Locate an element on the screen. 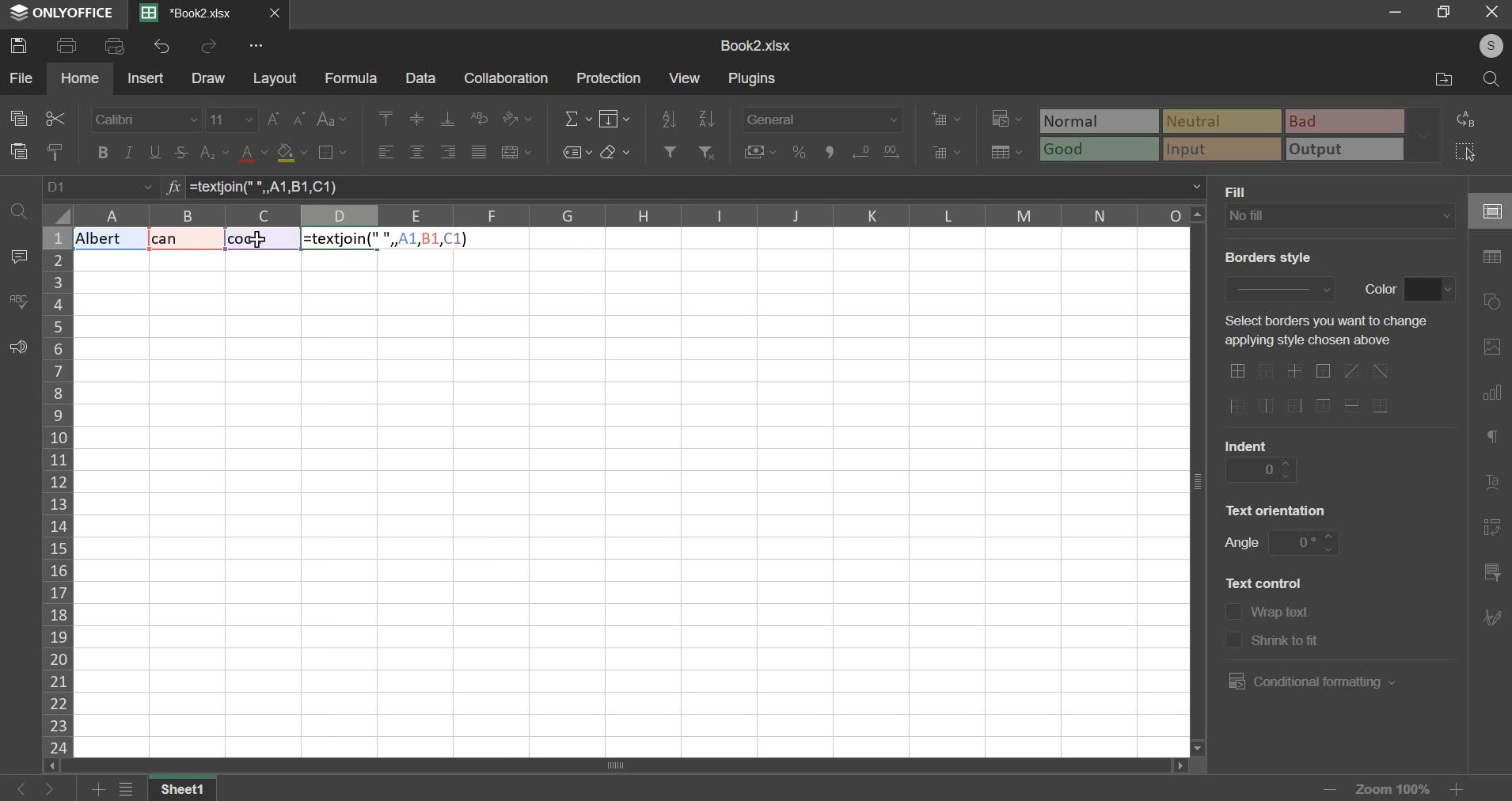 This screenshot has height=801, width=1512. Current sheets is located at coordinates (194, 13).